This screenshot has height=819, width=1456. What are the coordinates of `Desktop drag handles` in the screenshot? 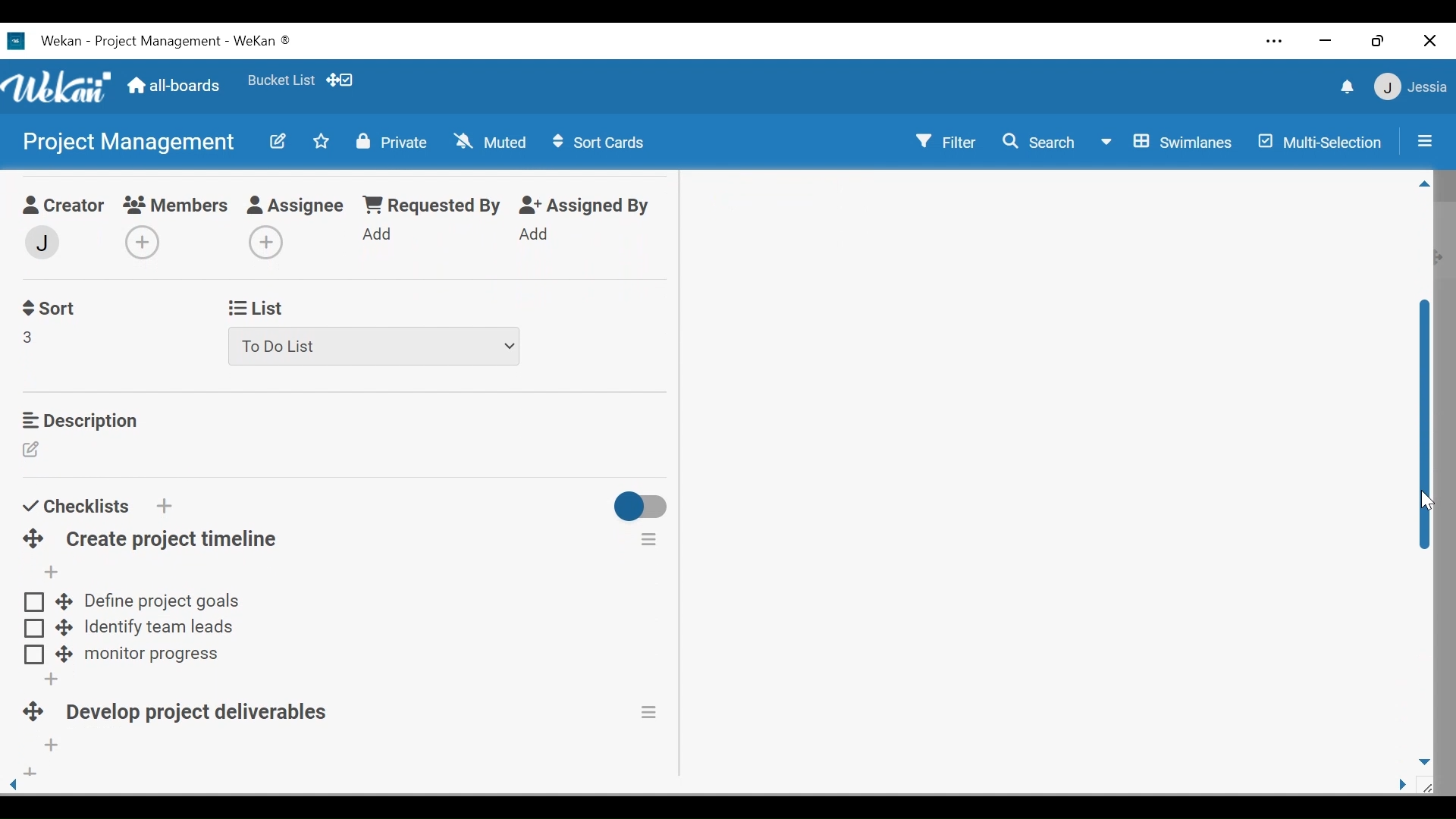 It's located at (30, 714).